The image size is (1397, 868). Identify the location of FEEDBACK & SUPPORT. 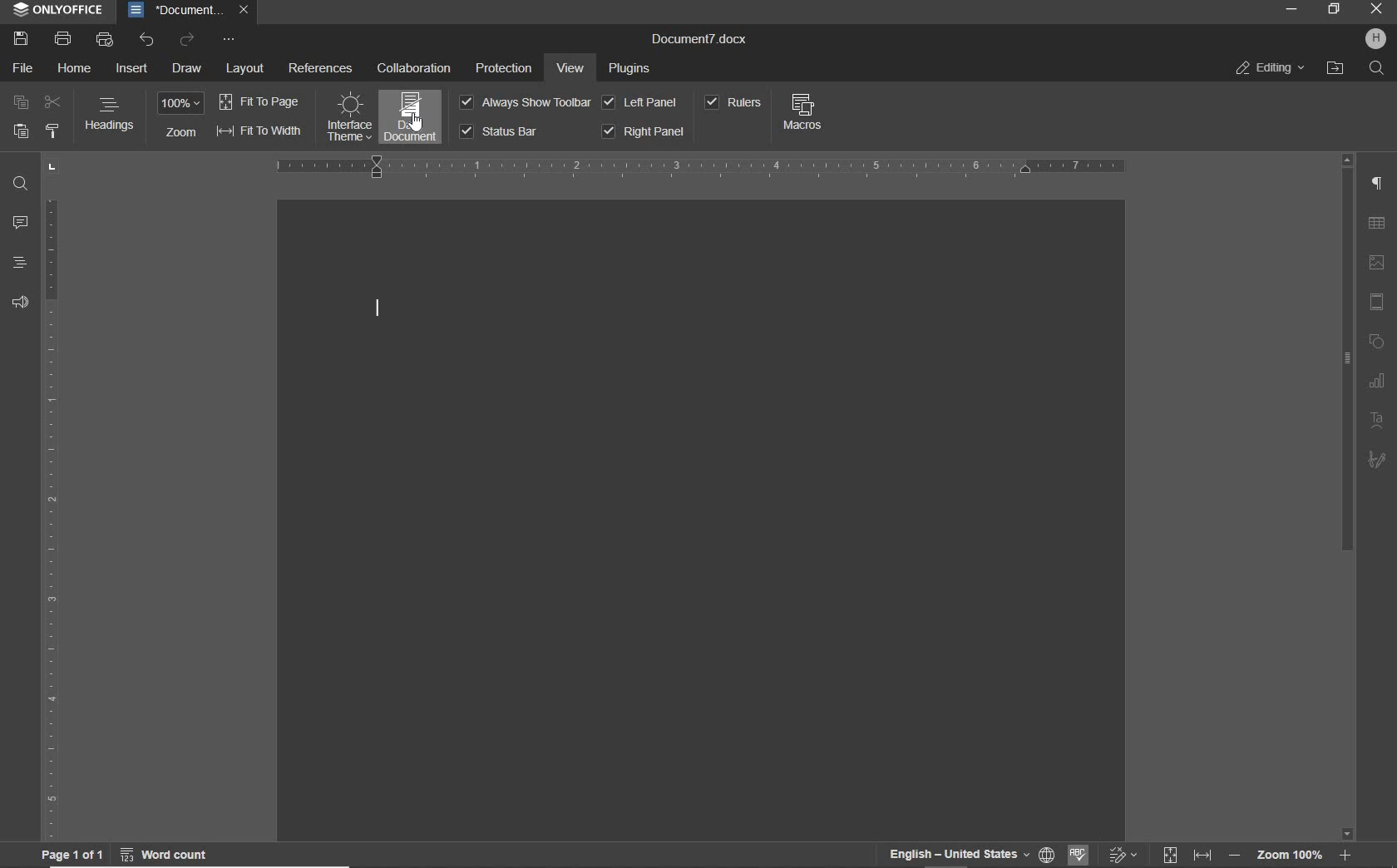
(19, 304).